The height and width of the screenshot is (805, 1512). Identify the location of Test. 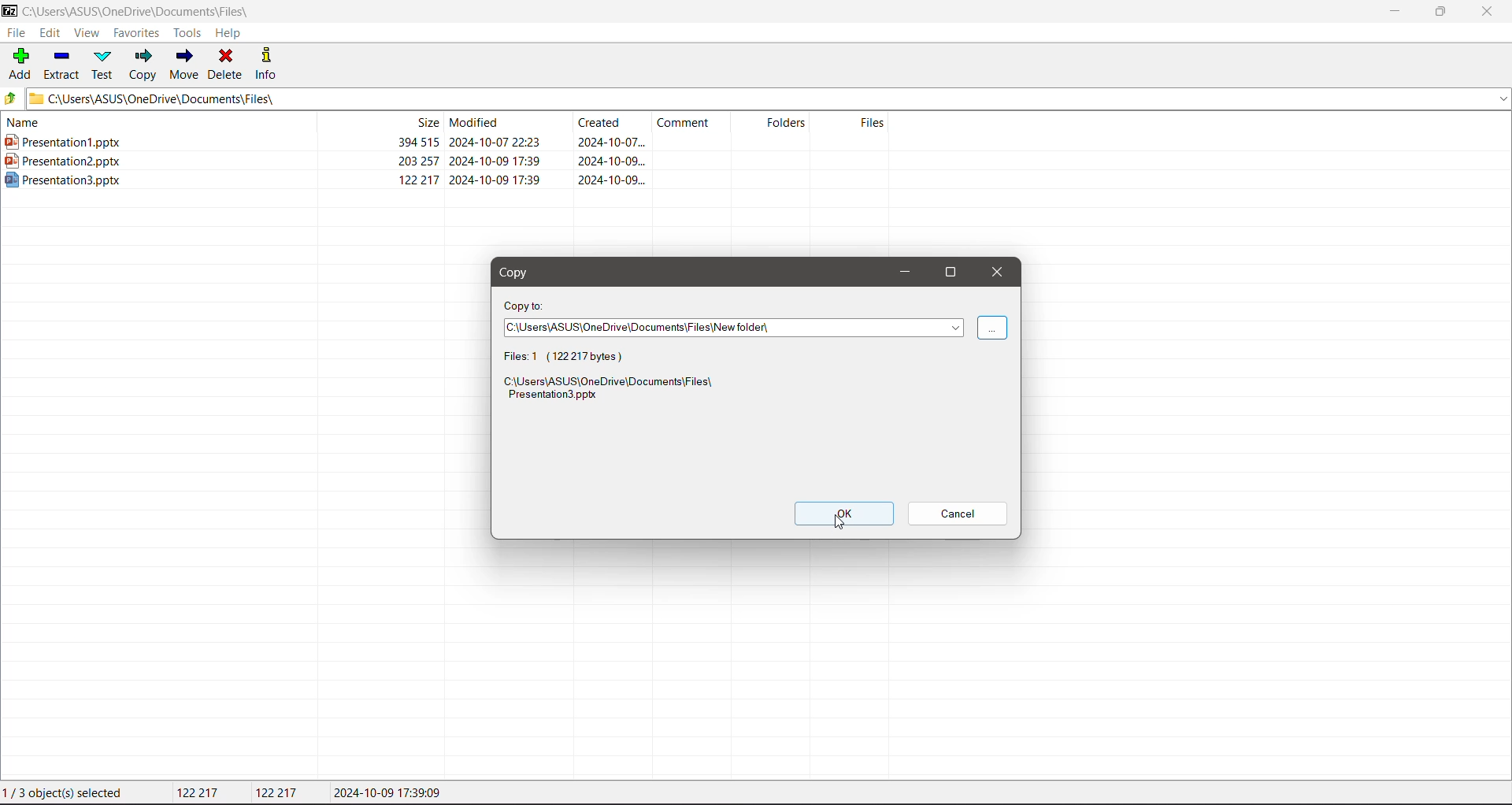
(104, 65).